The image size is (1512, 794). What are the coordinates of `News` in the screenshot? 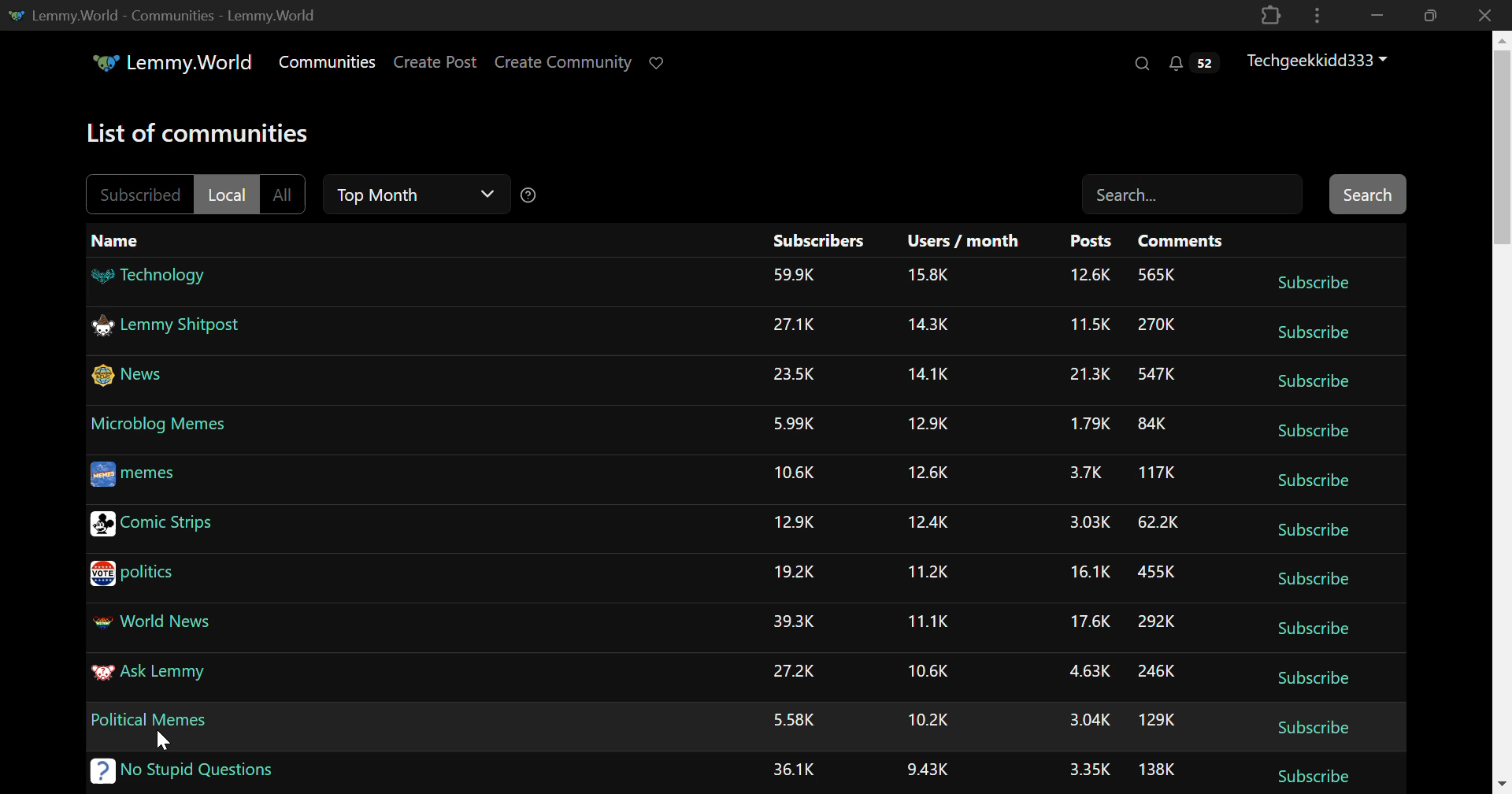 It's located at (129, 378).